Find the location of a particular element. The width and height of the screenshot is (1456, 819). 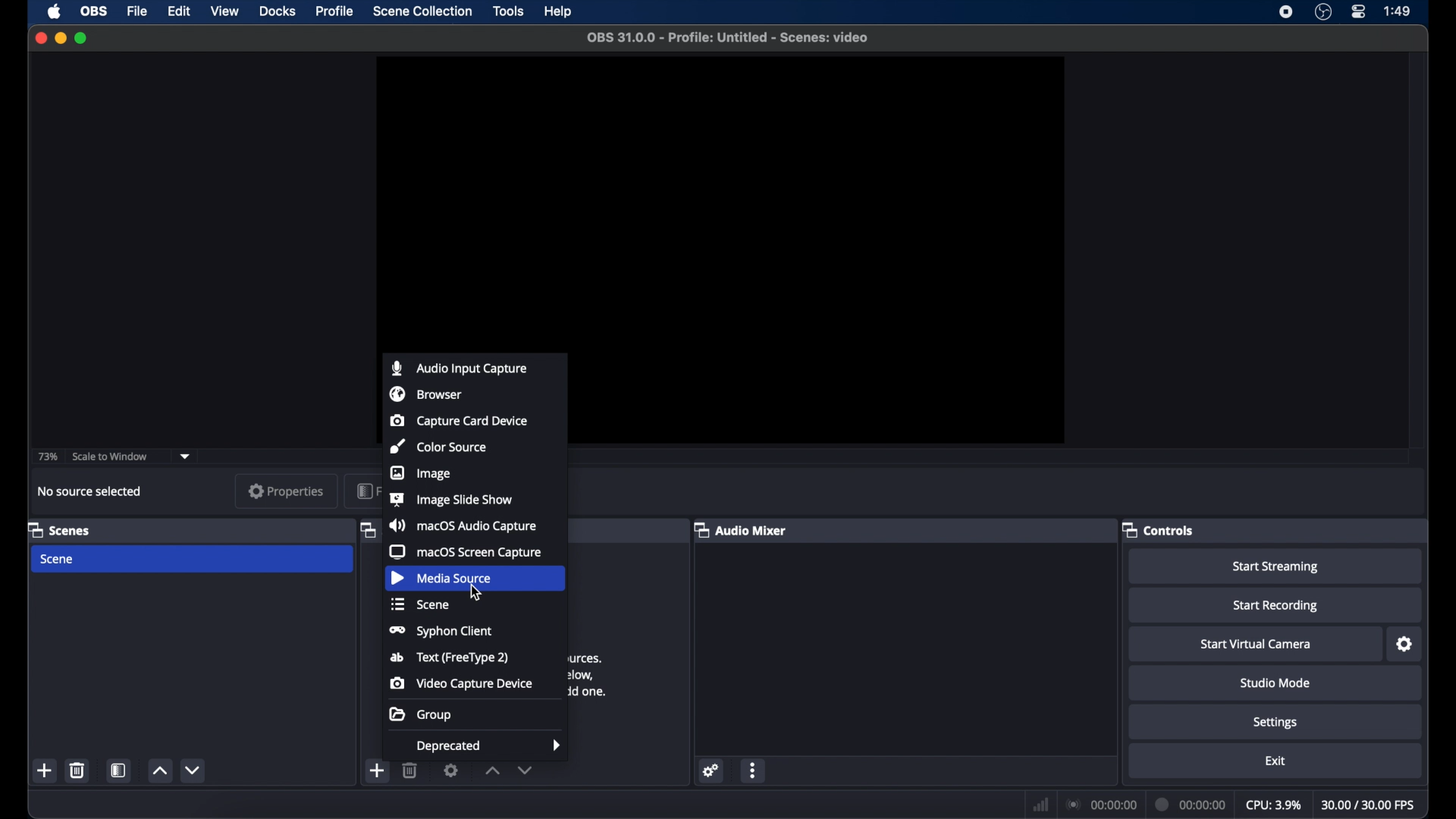

image is located at coordinates (423, 473).